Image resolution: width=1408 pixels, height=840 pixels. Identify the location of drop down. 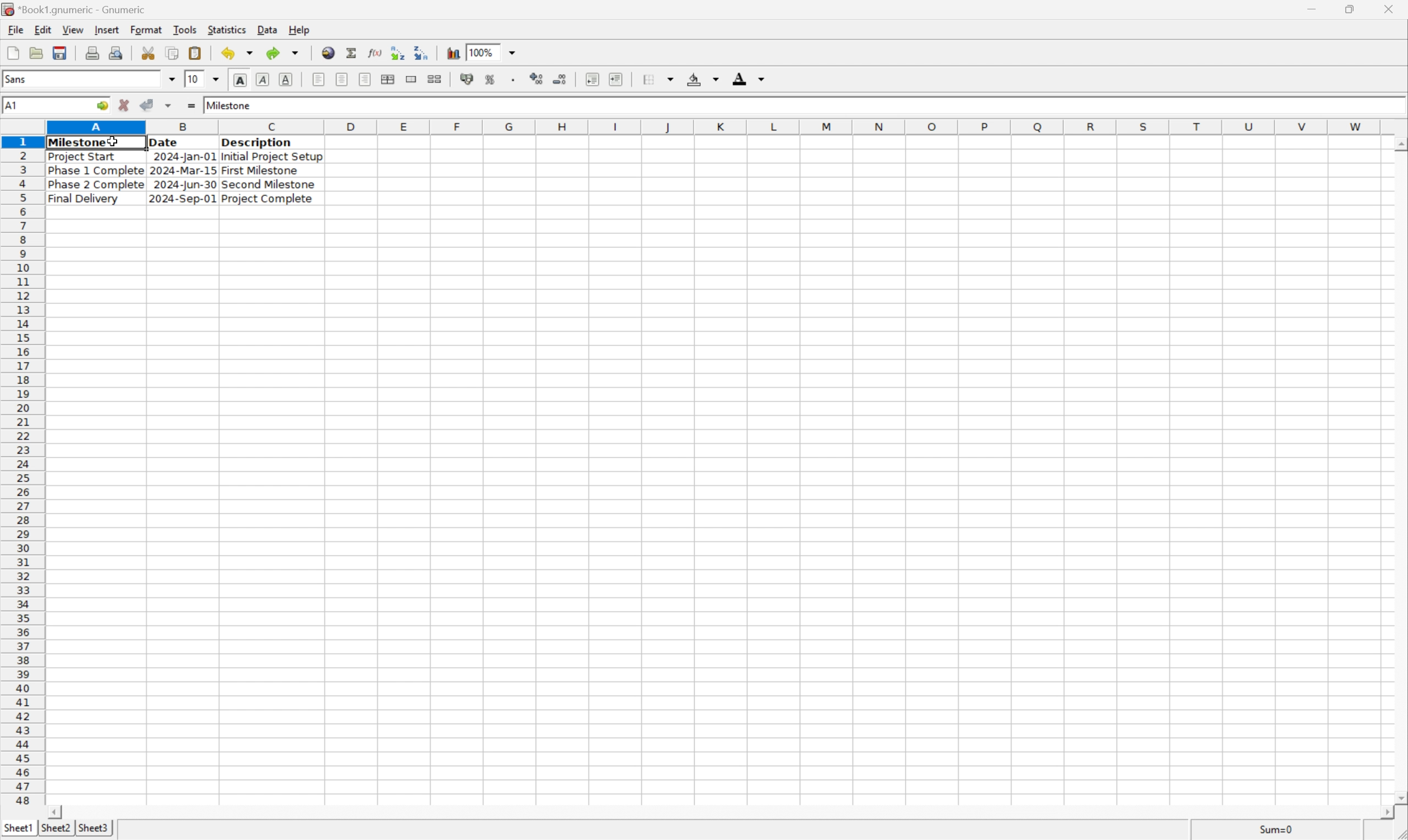
(513, 52).